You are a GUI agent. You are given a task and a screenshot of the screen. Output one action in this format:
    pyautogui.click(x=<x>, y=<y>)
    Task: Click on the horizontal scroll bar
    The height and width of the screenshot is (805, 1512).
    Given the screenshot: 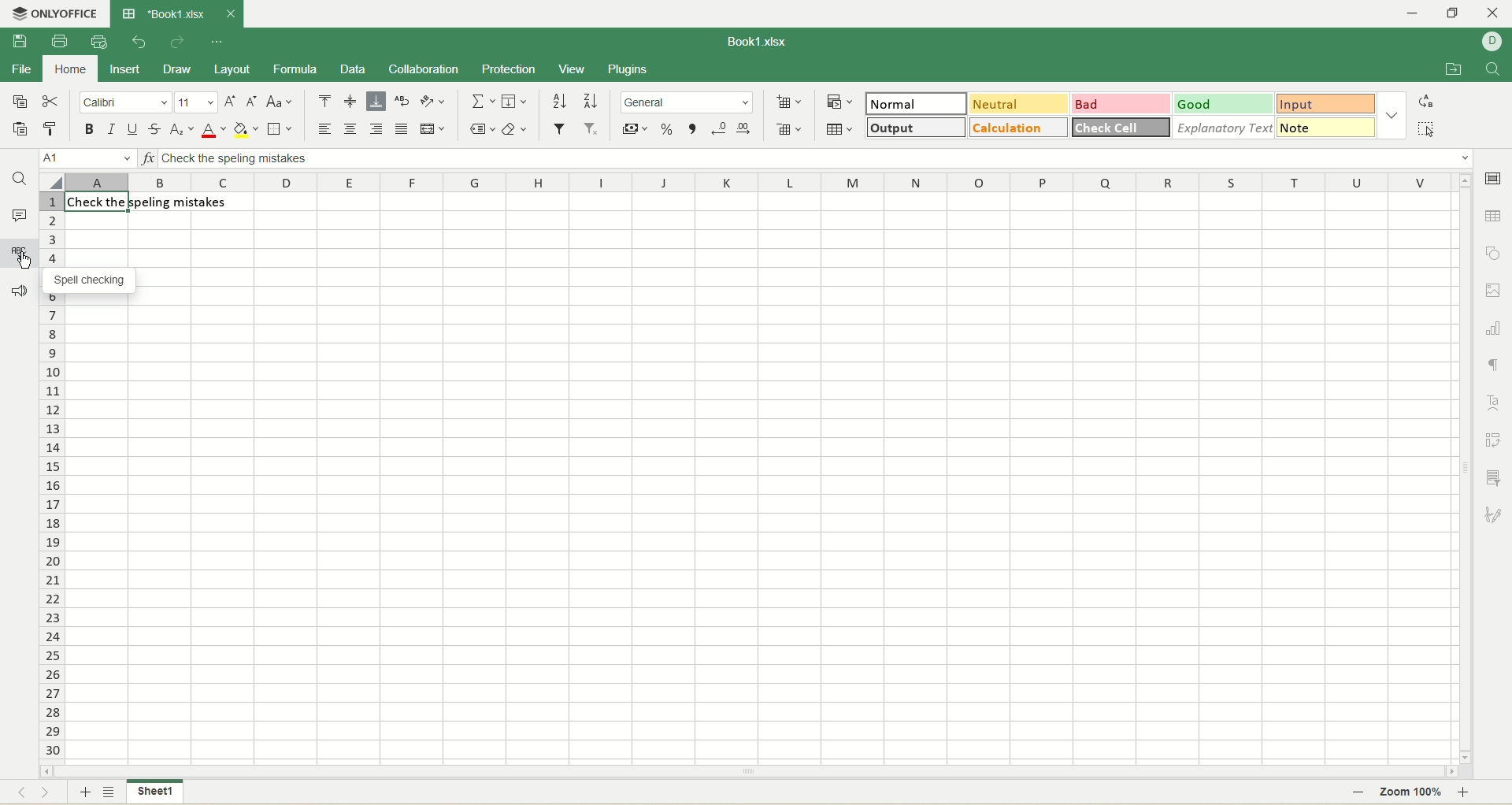 What is the action you would take?
    pyautogui.click(x=747, y=773)
    